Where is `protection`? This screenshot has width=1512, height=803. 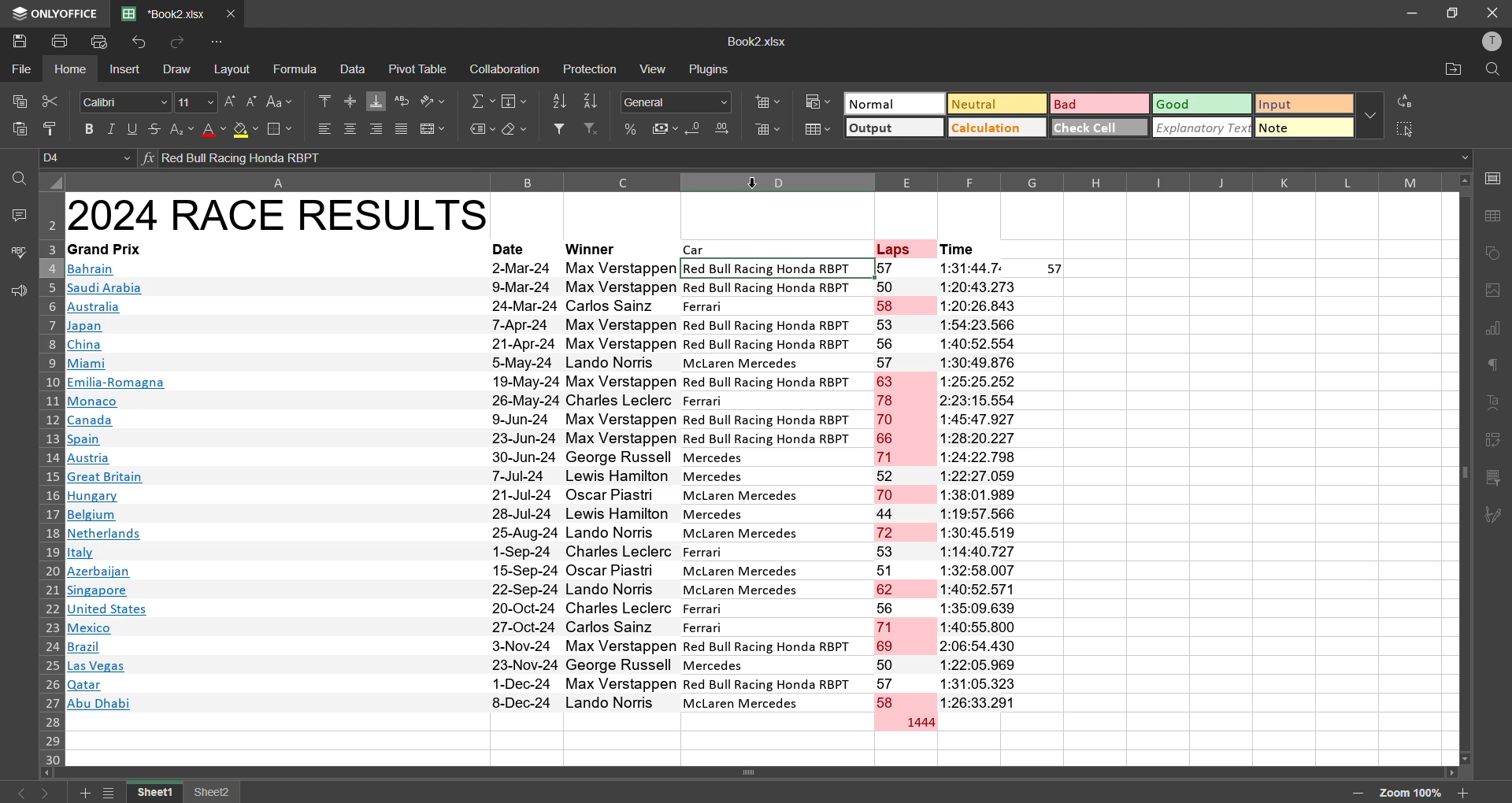
protection is located at coordinates (592, 71).